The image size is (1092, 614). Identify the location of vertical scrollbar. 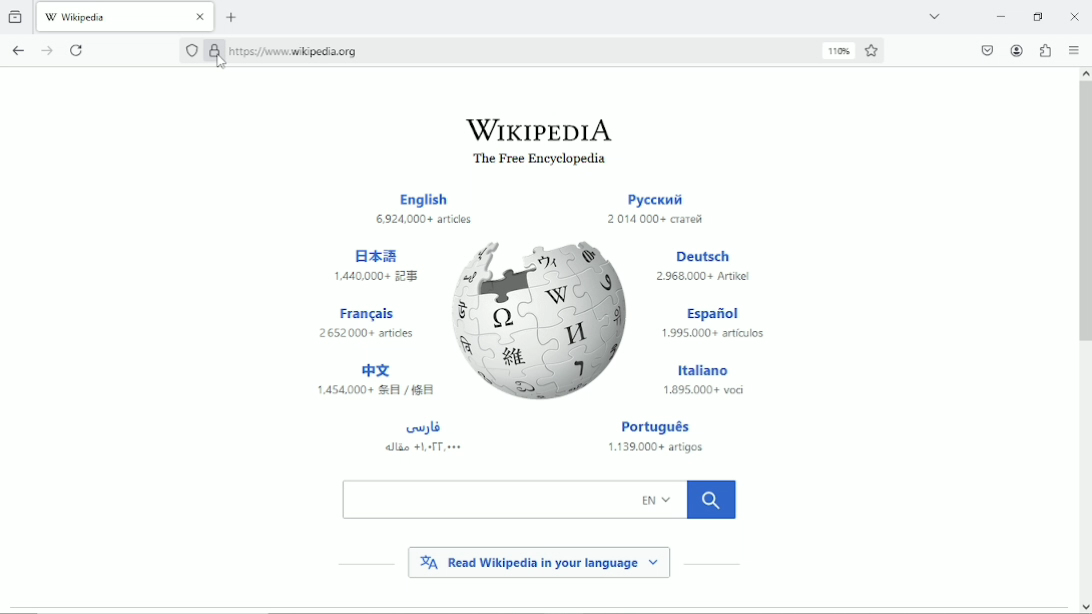
(1083, 214).